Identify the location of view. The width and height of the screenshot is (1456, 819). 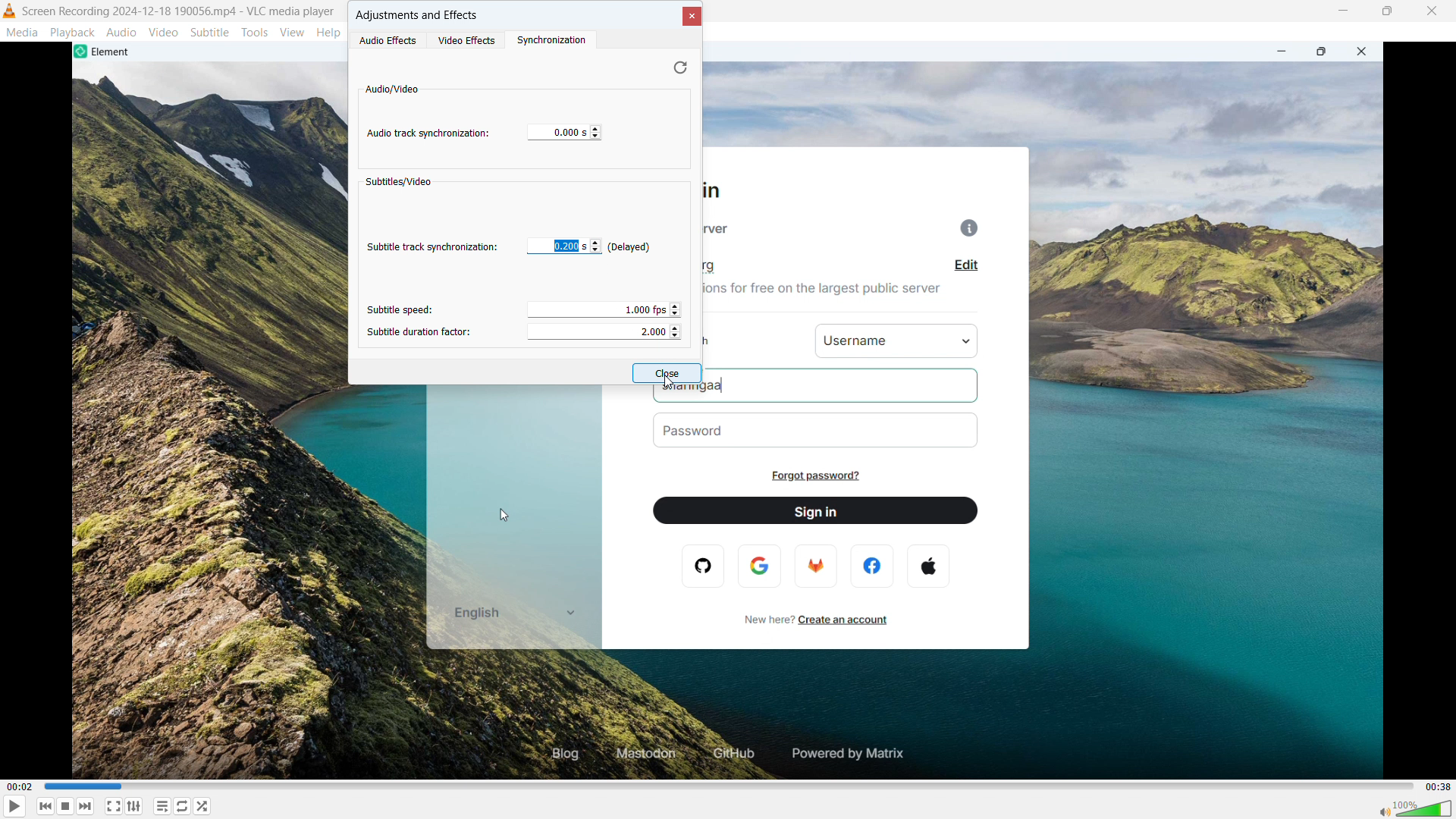
(293, 33).